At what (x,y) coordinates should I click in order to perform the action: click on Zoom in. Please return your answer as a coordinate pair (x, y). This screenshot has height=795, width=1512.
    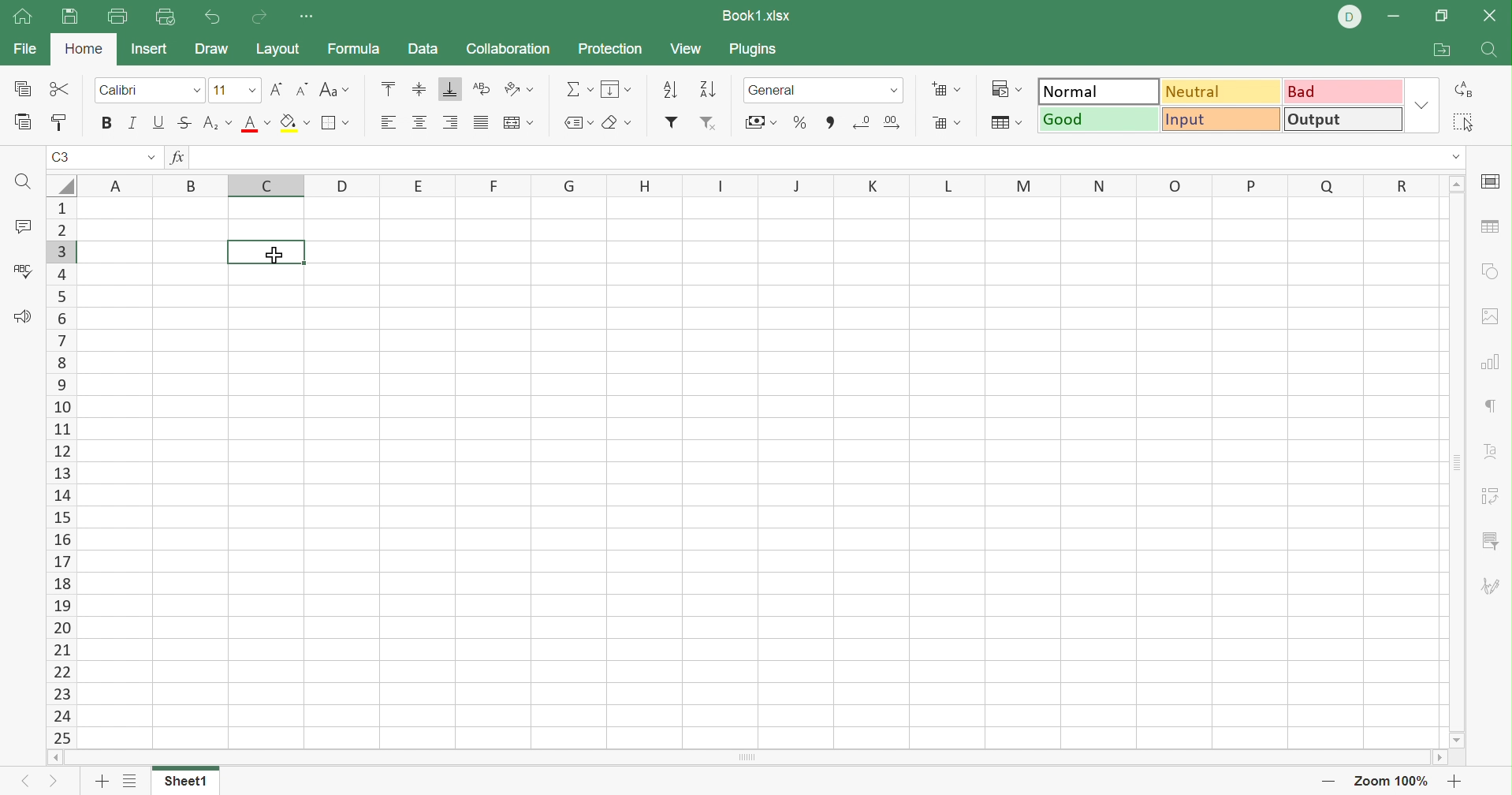
    Looking at the image, I should click on (1456, 780).